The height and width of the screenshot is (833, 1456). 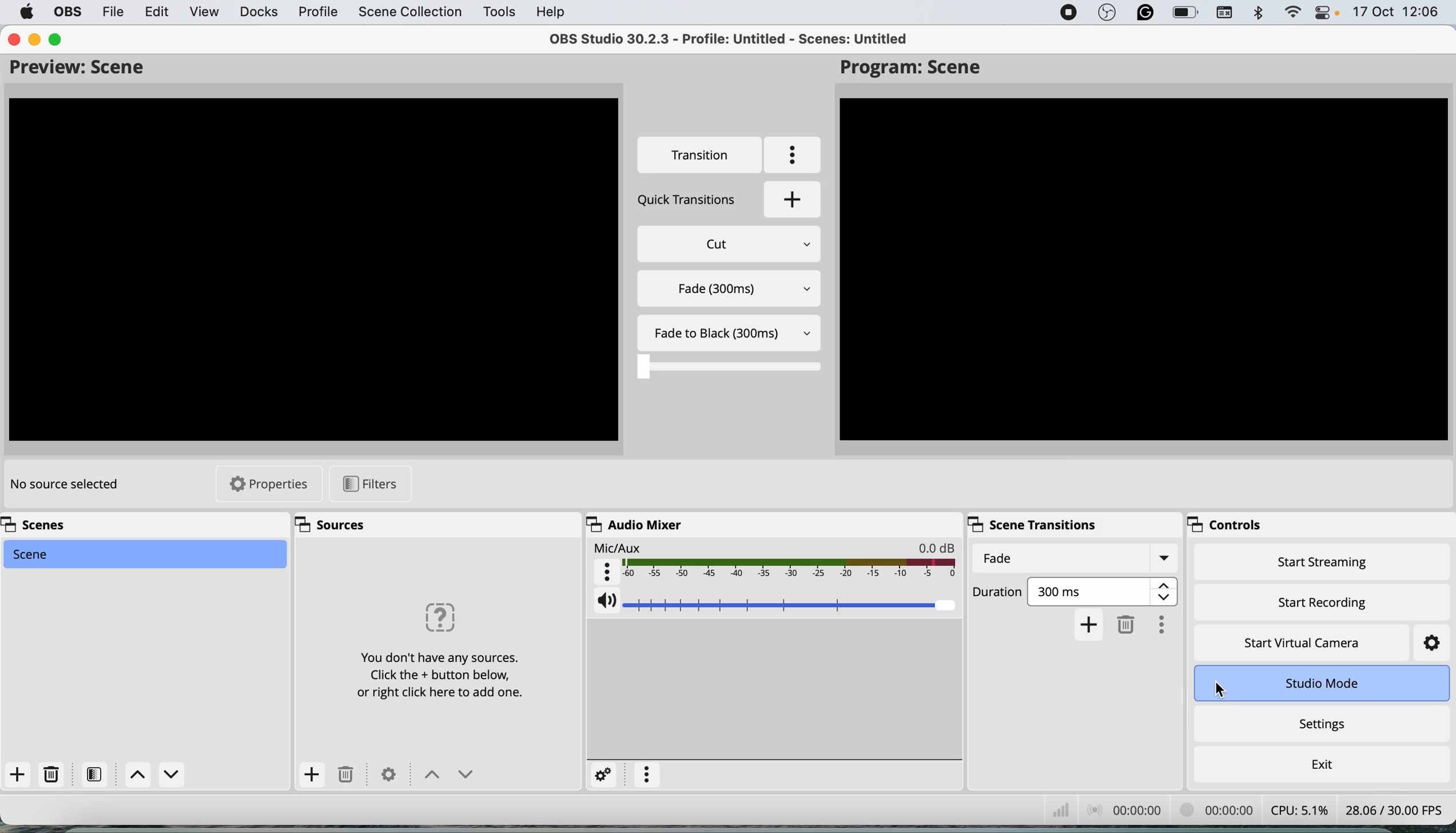 I want to click on network, so click(x=1054, y=811).